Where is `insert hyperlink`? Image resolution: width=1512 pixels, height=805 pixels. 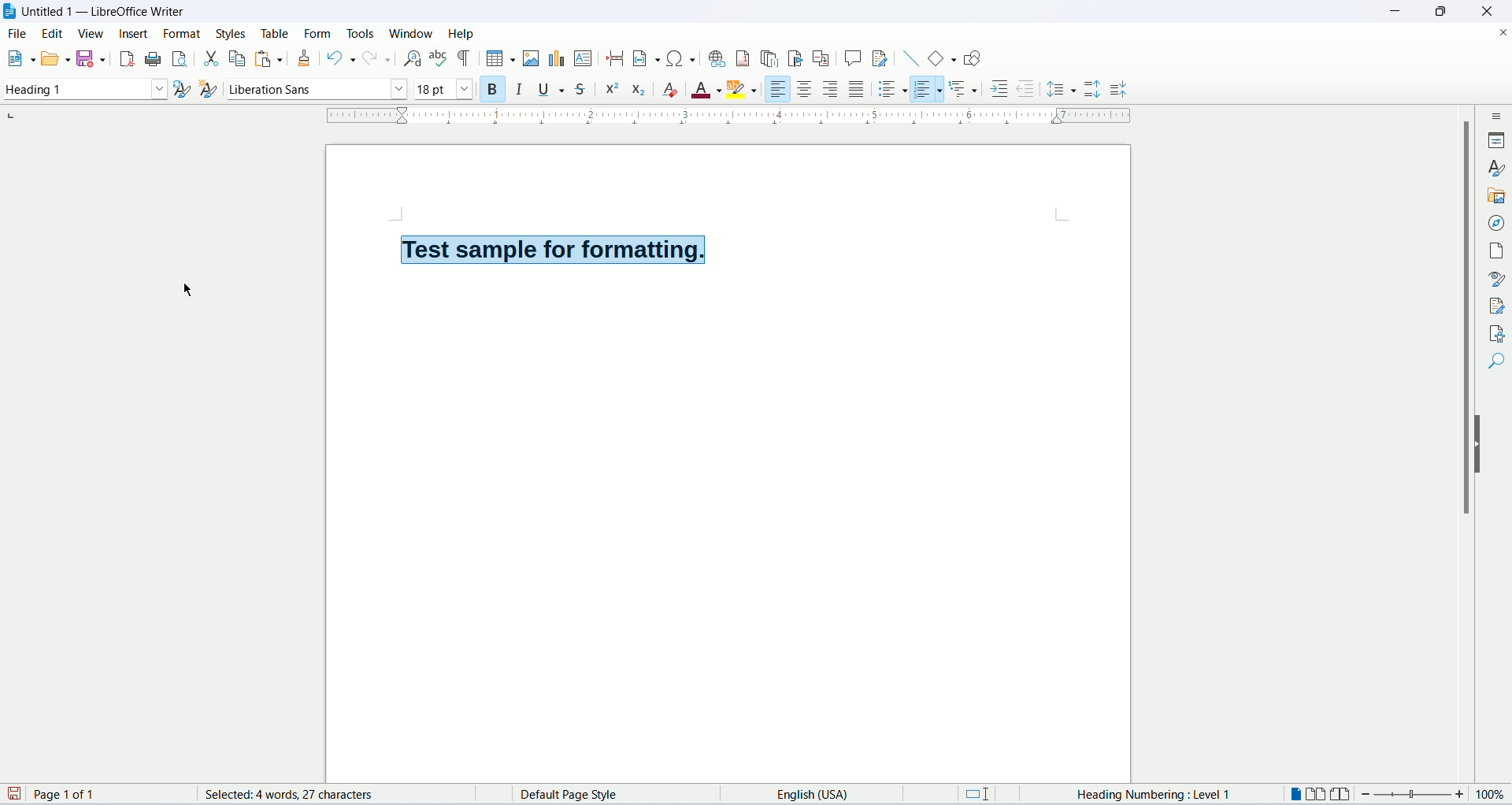
insert hyperlink is located at coordinates (715, 57).